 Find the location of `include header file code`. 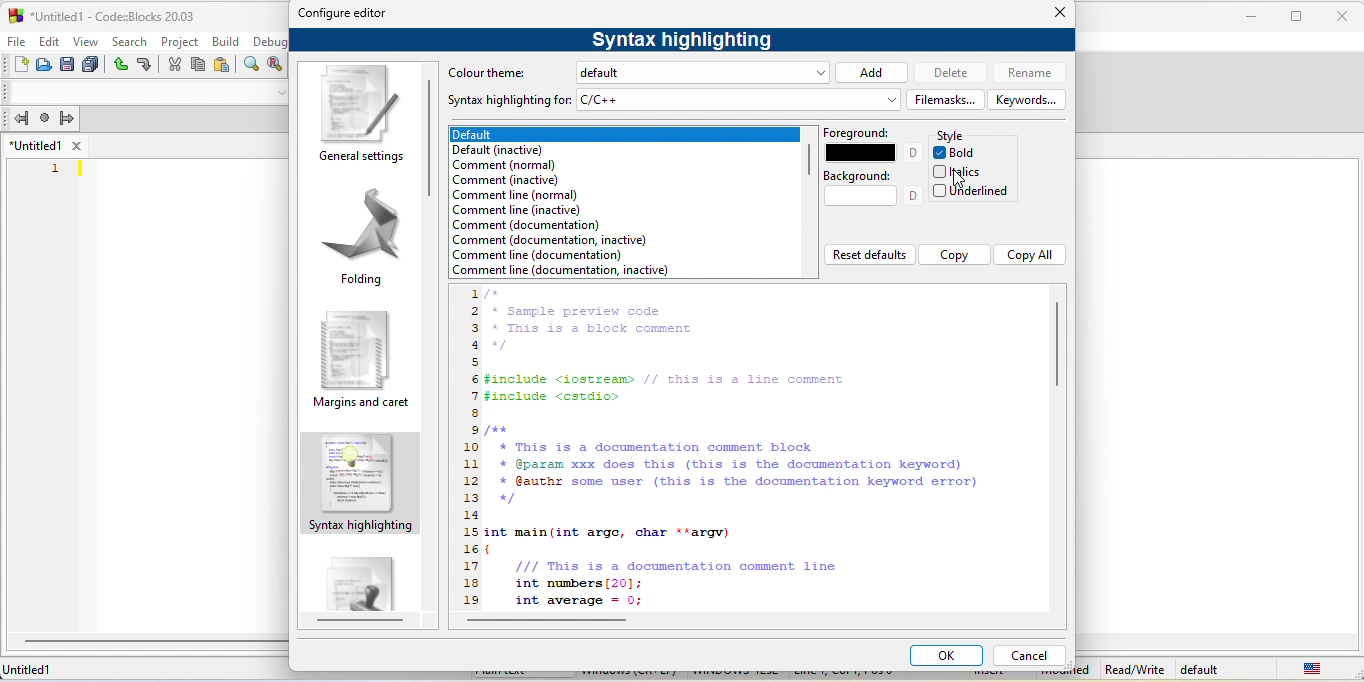

include header file code is located at coordinates (667, 388).